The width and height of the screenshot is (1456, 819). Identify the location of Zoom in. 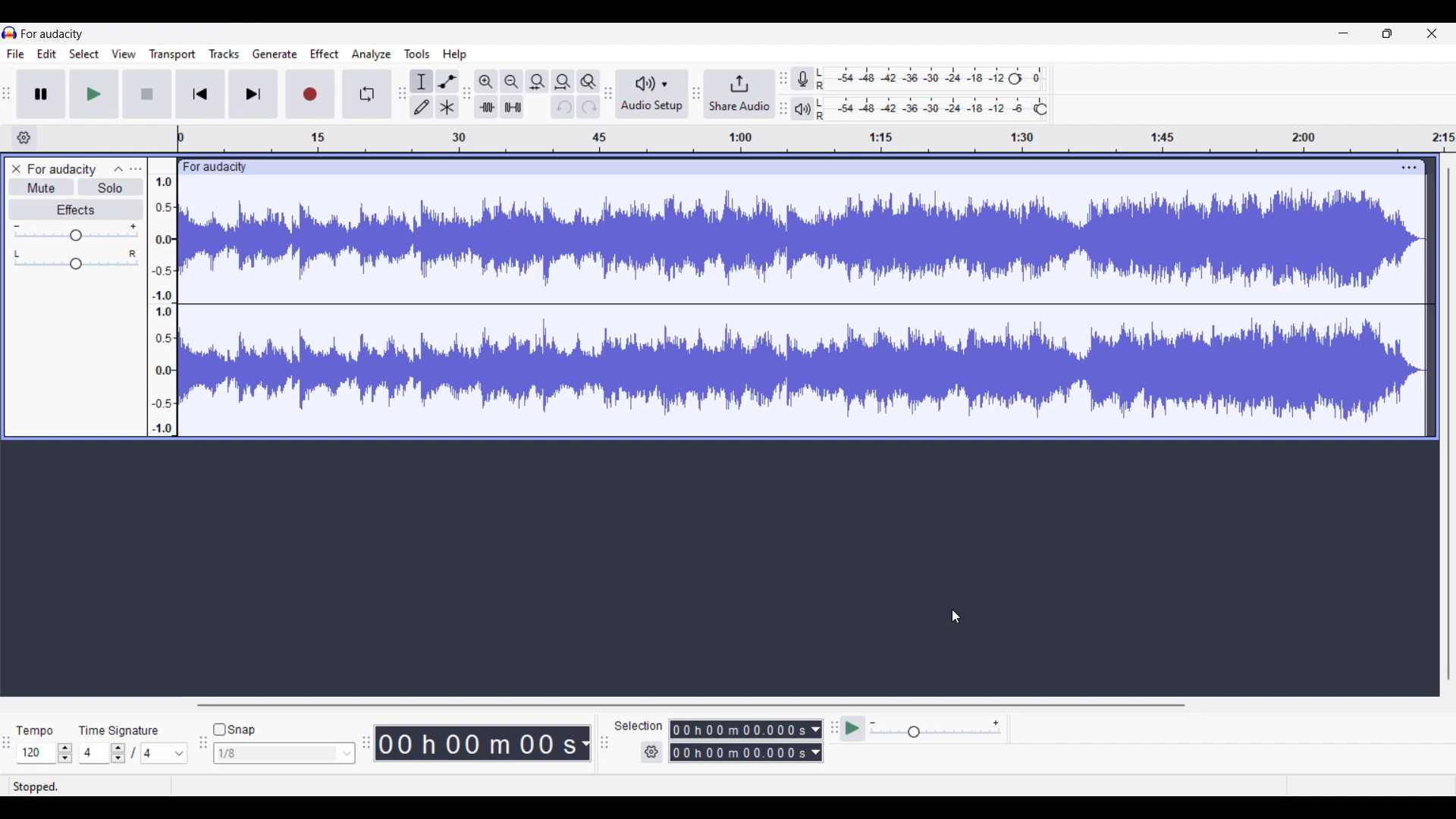
(487, 82).